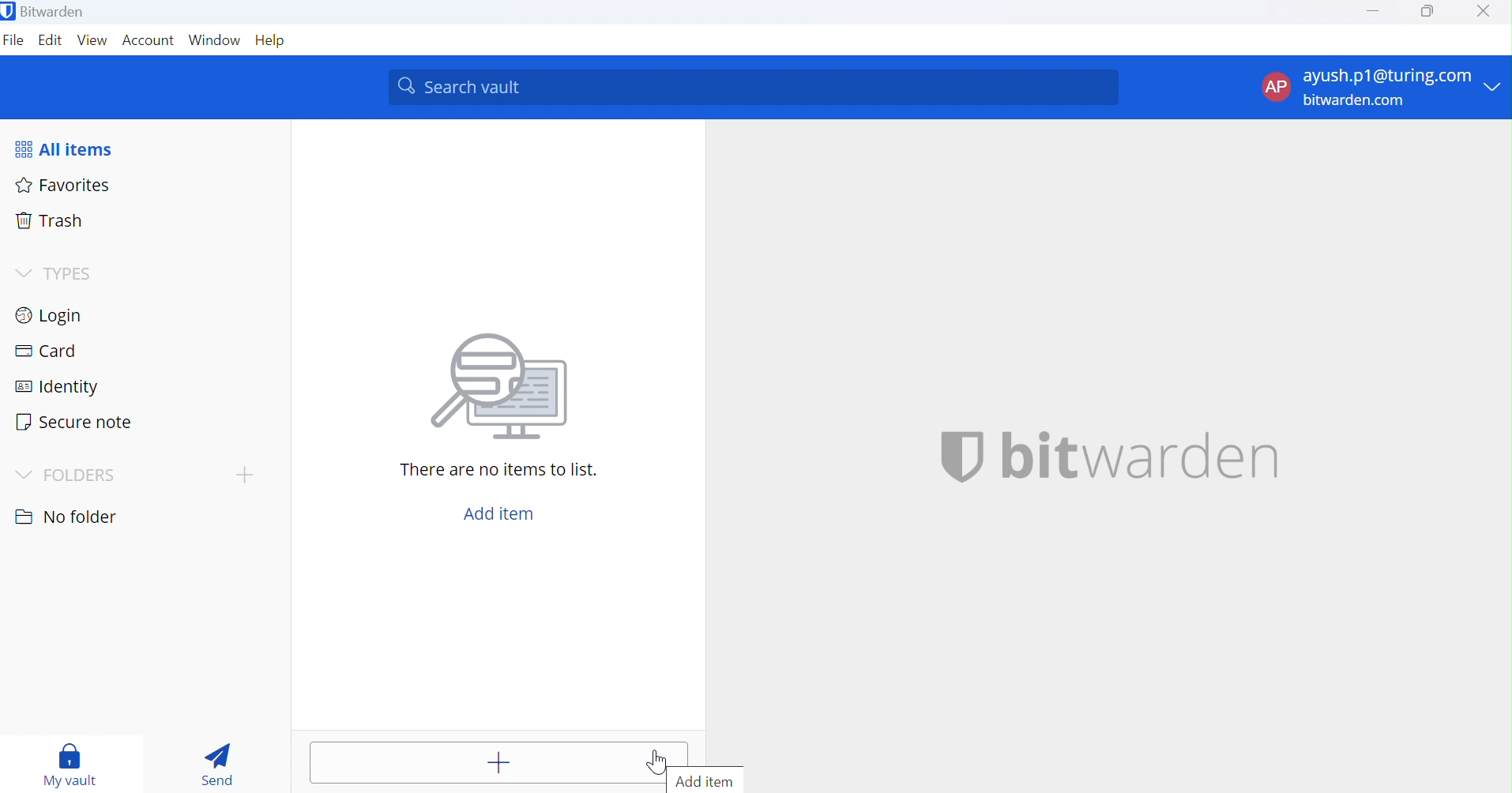  What do you see at coordinates (60, 385) in the screenshot?
I see `Identity` at bounding box center [60, 385].